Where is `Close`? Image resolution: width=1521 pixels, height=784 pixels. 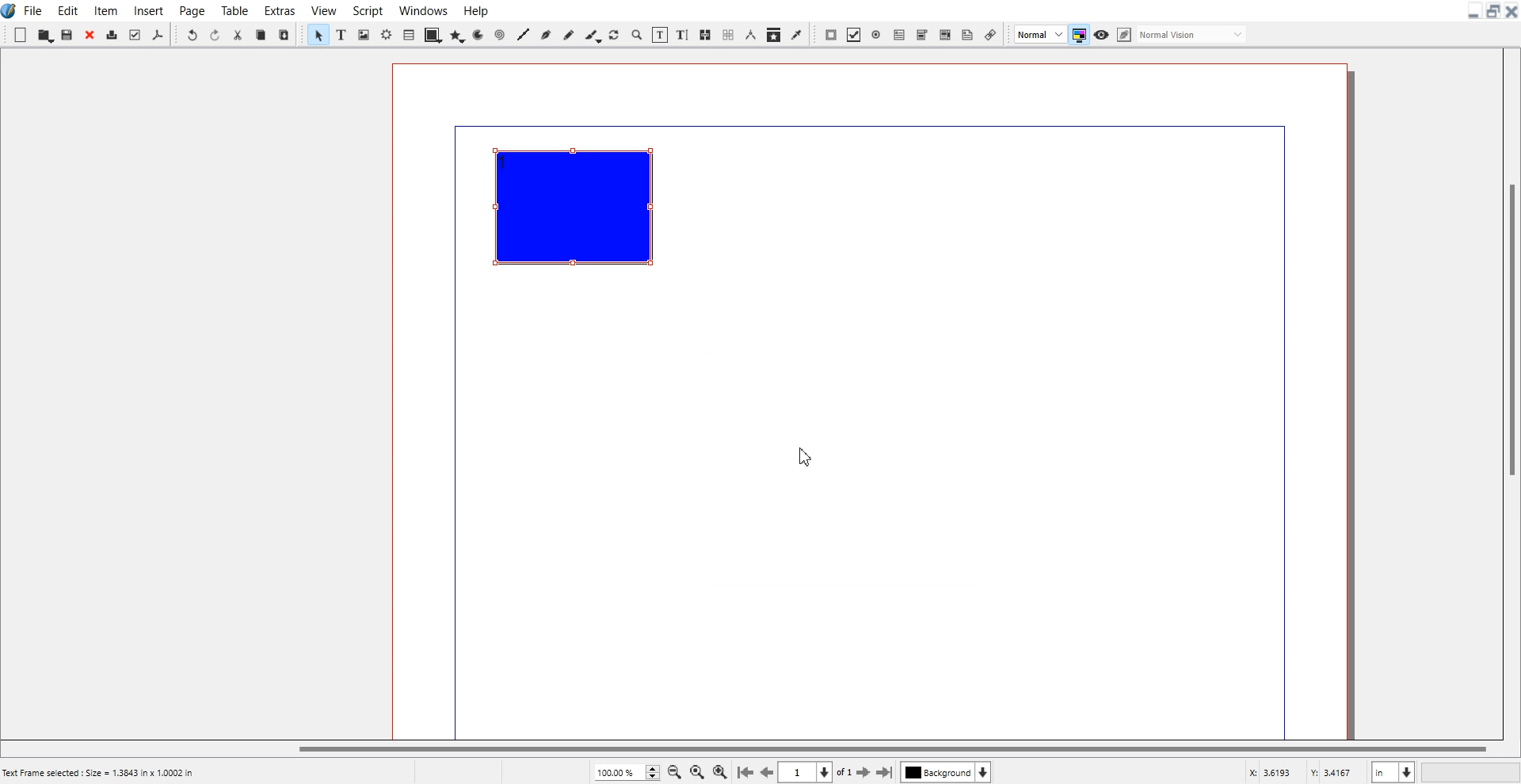 Close is located at coordinates (90, 34).